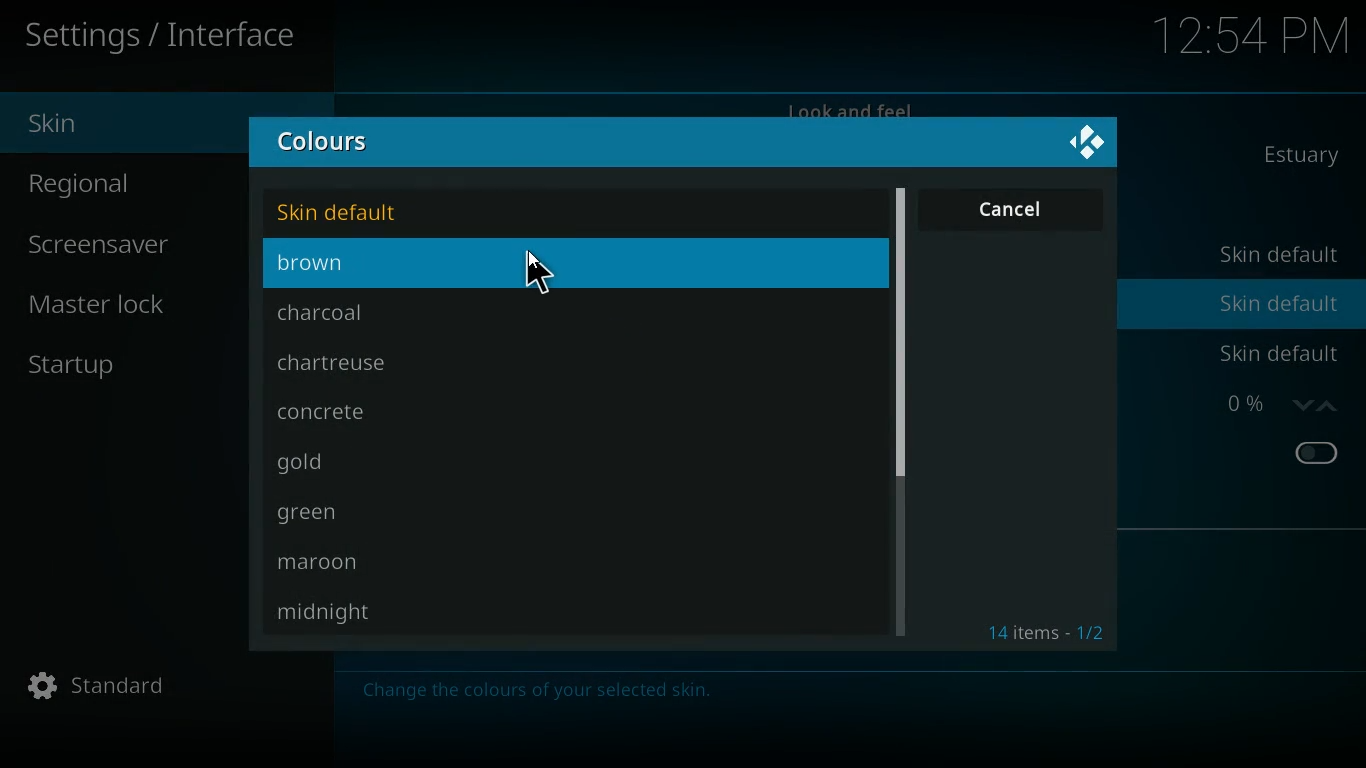 This screenshot has width=1366, height=768. I want to click on chartreuse, so click(360, 363).